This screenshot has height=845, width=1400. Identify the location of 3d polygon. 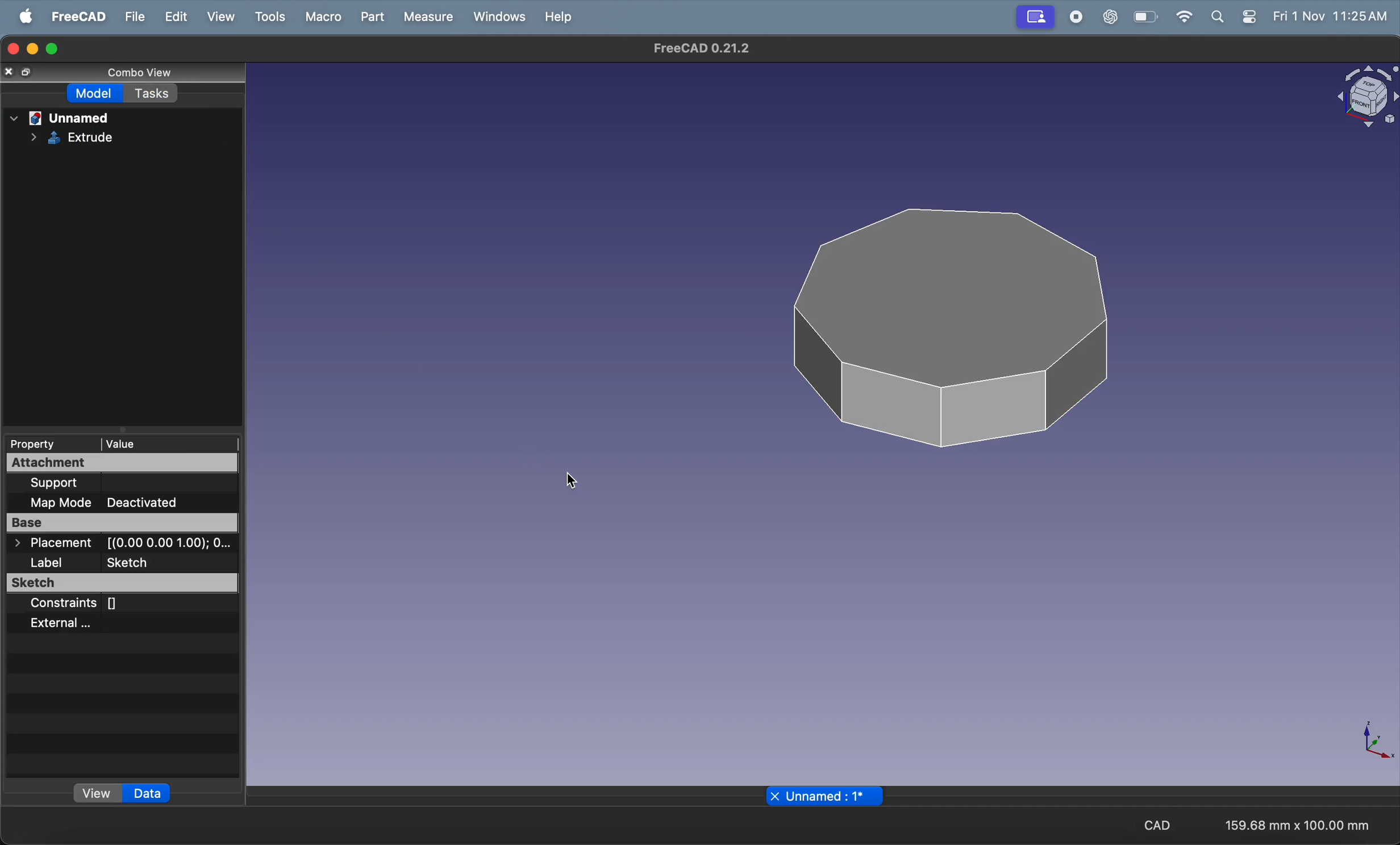
(954, 324).